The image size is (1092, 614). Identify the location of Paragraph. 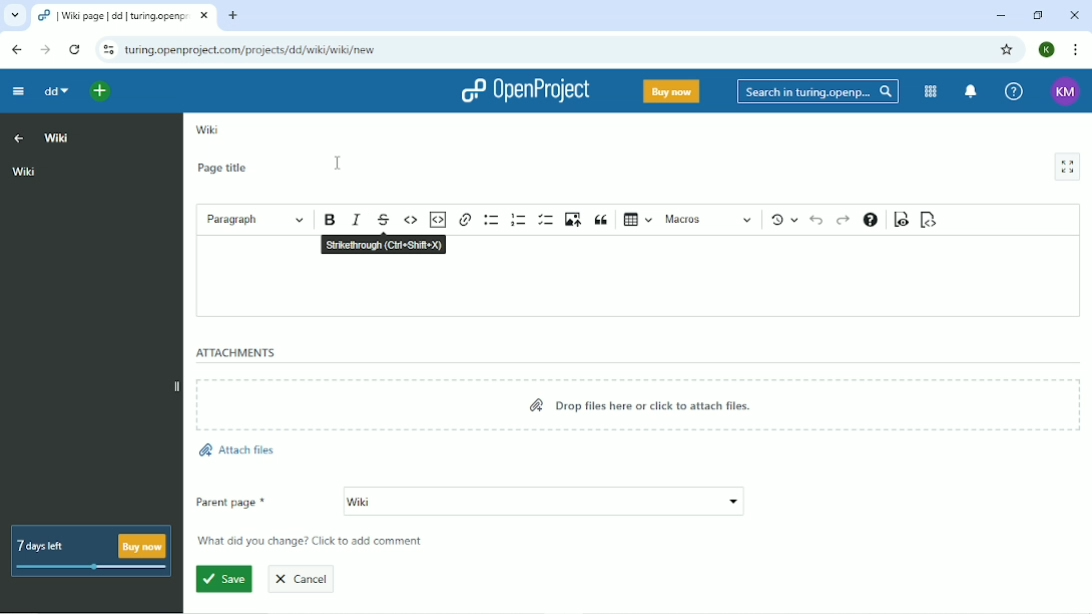
(256, 219).